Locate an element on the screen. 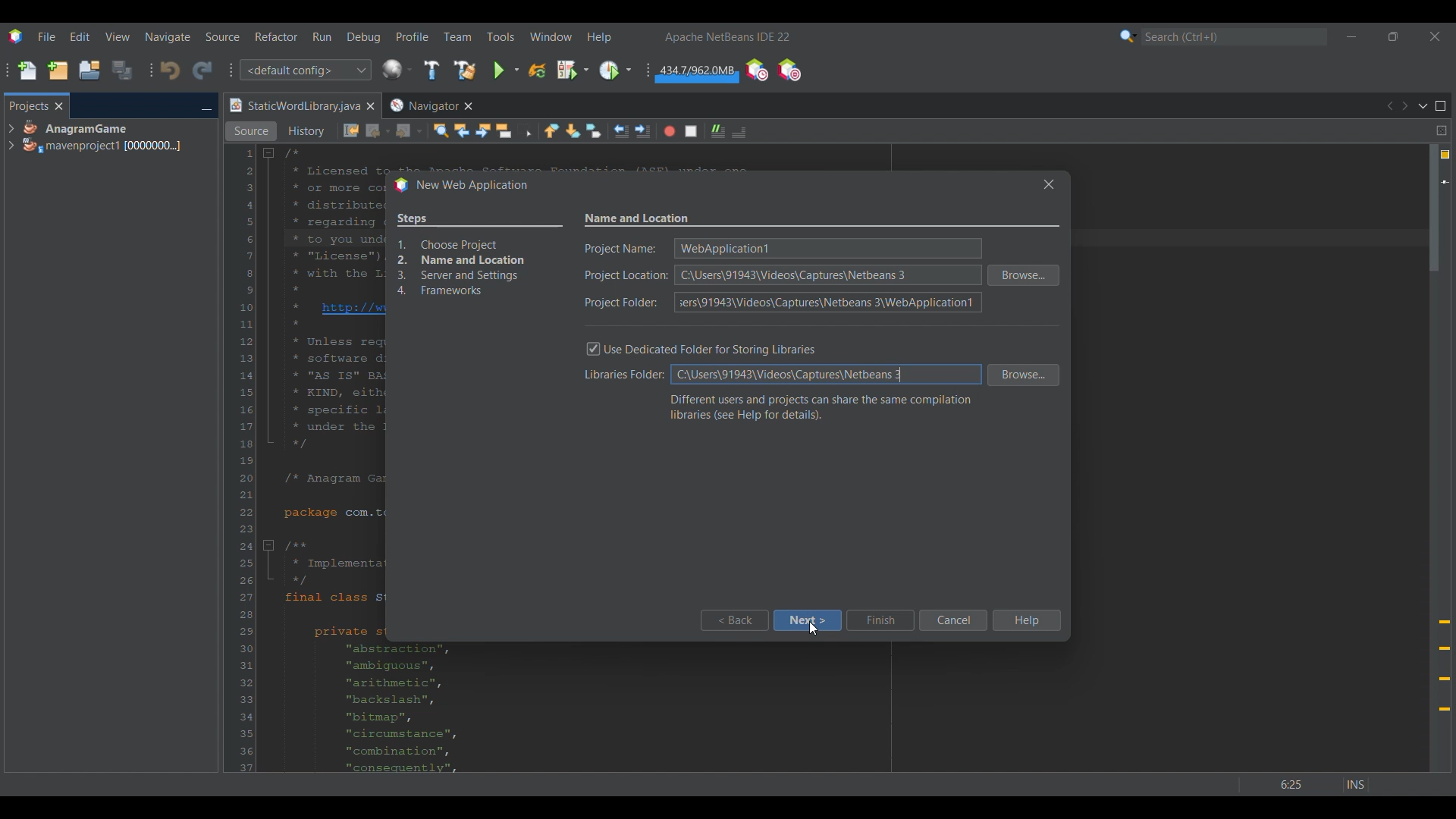  Maximize window is located at coordinates (1441, 106).